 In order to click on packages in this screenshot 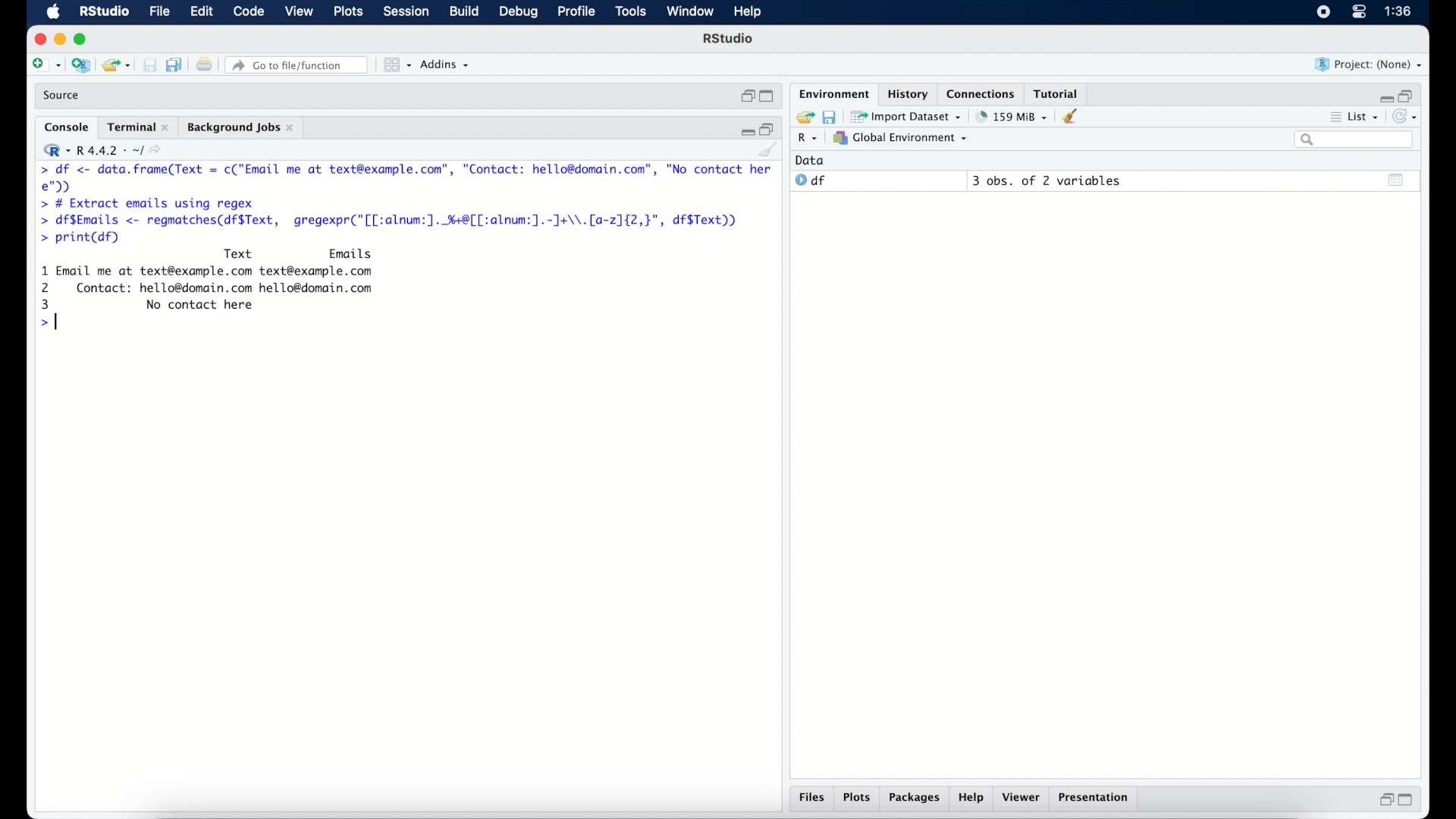, I will do `click(914, 799)`.